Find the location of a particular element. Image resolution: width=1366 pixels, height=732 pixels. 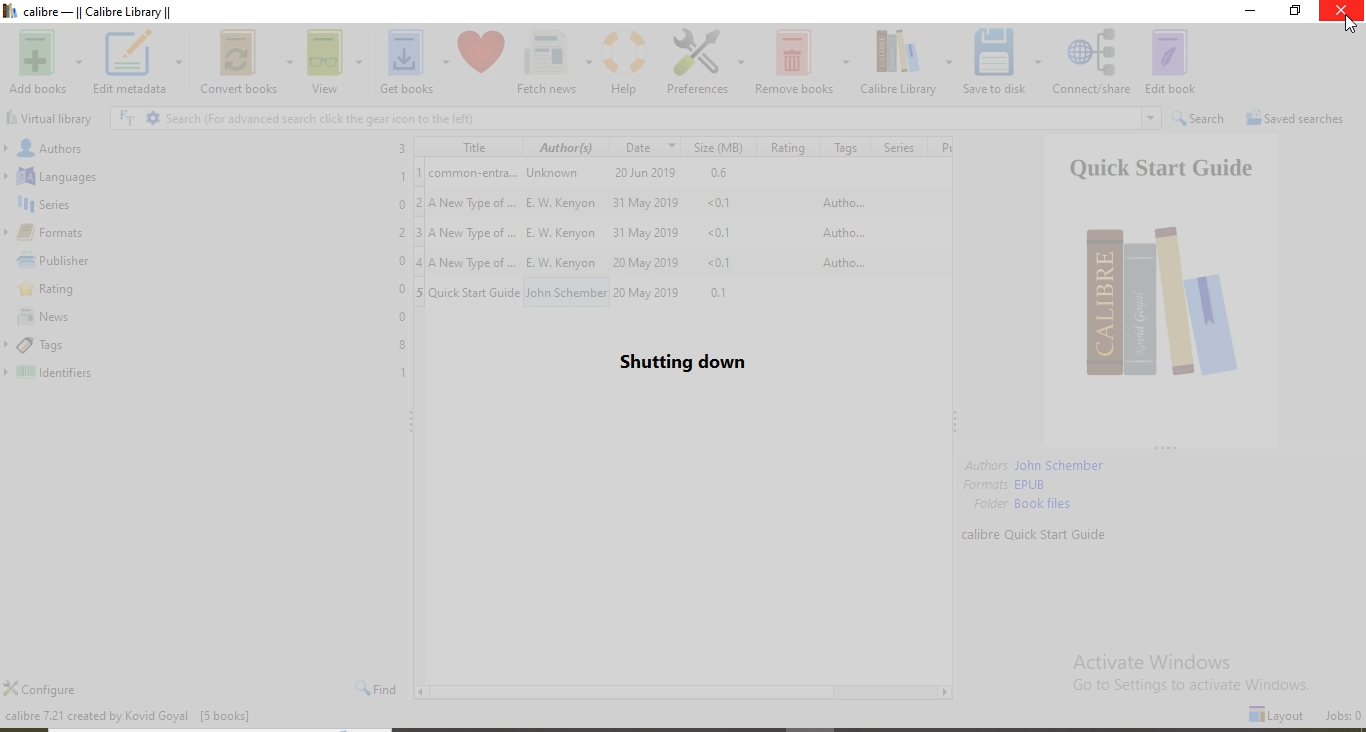

3 is located at coordinates (419, 231).